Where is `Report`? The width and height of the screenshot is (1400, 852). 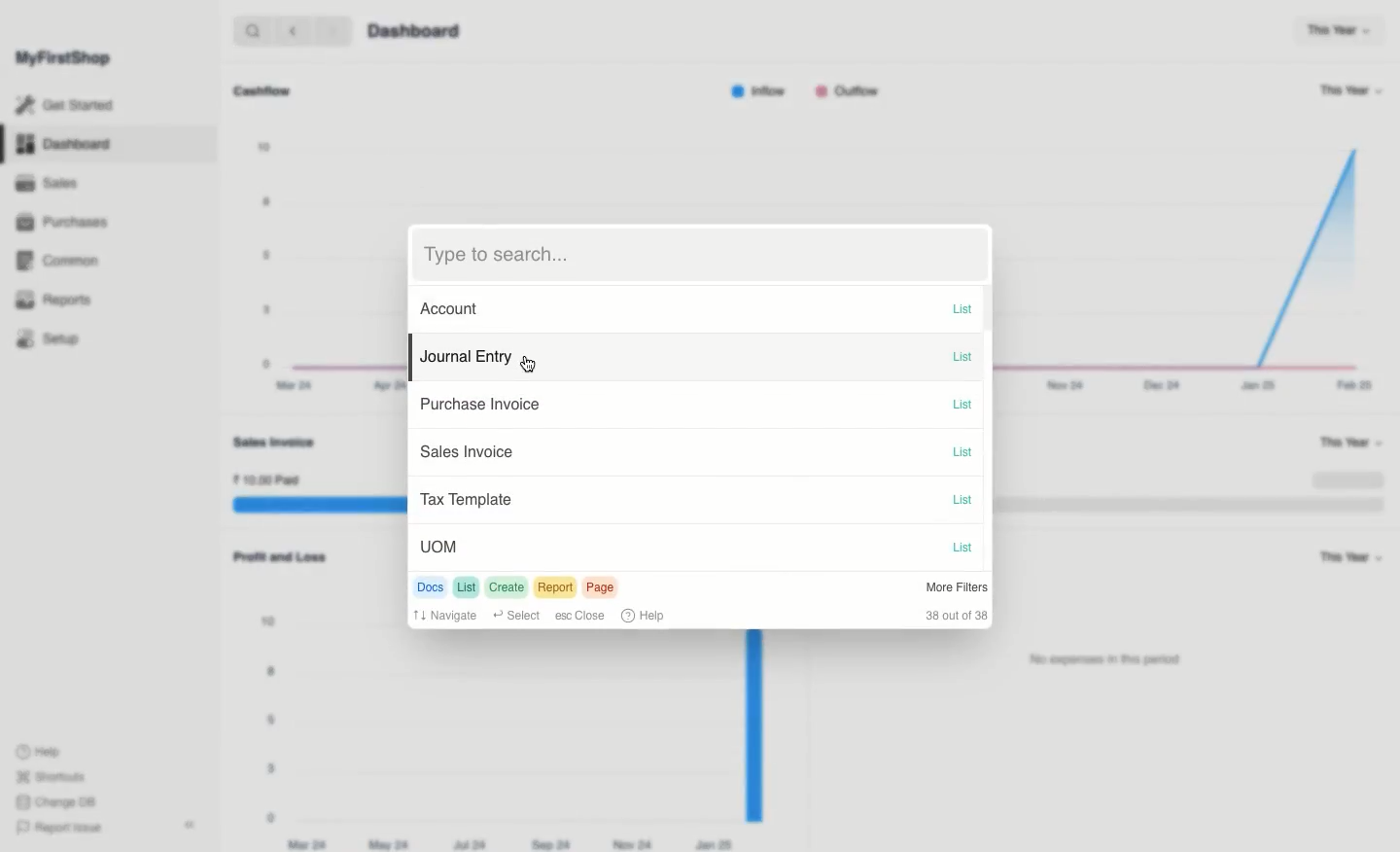 Report is located at coordinates (552, 586).